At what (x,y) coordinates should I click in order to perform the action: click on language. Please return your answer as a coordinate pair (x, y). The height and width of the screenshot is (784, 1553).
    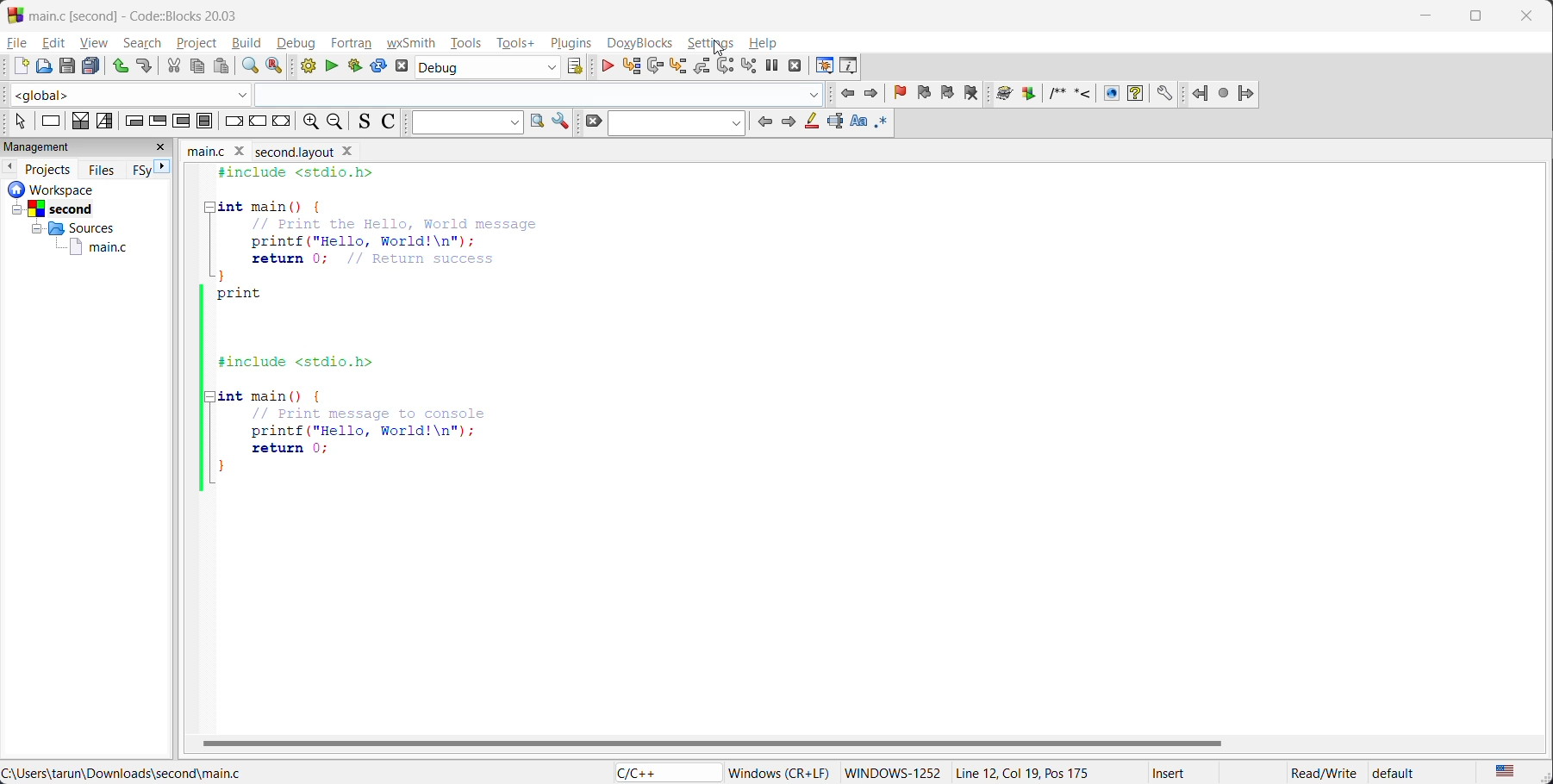
    Looking at the image, I should click on (658, 772).